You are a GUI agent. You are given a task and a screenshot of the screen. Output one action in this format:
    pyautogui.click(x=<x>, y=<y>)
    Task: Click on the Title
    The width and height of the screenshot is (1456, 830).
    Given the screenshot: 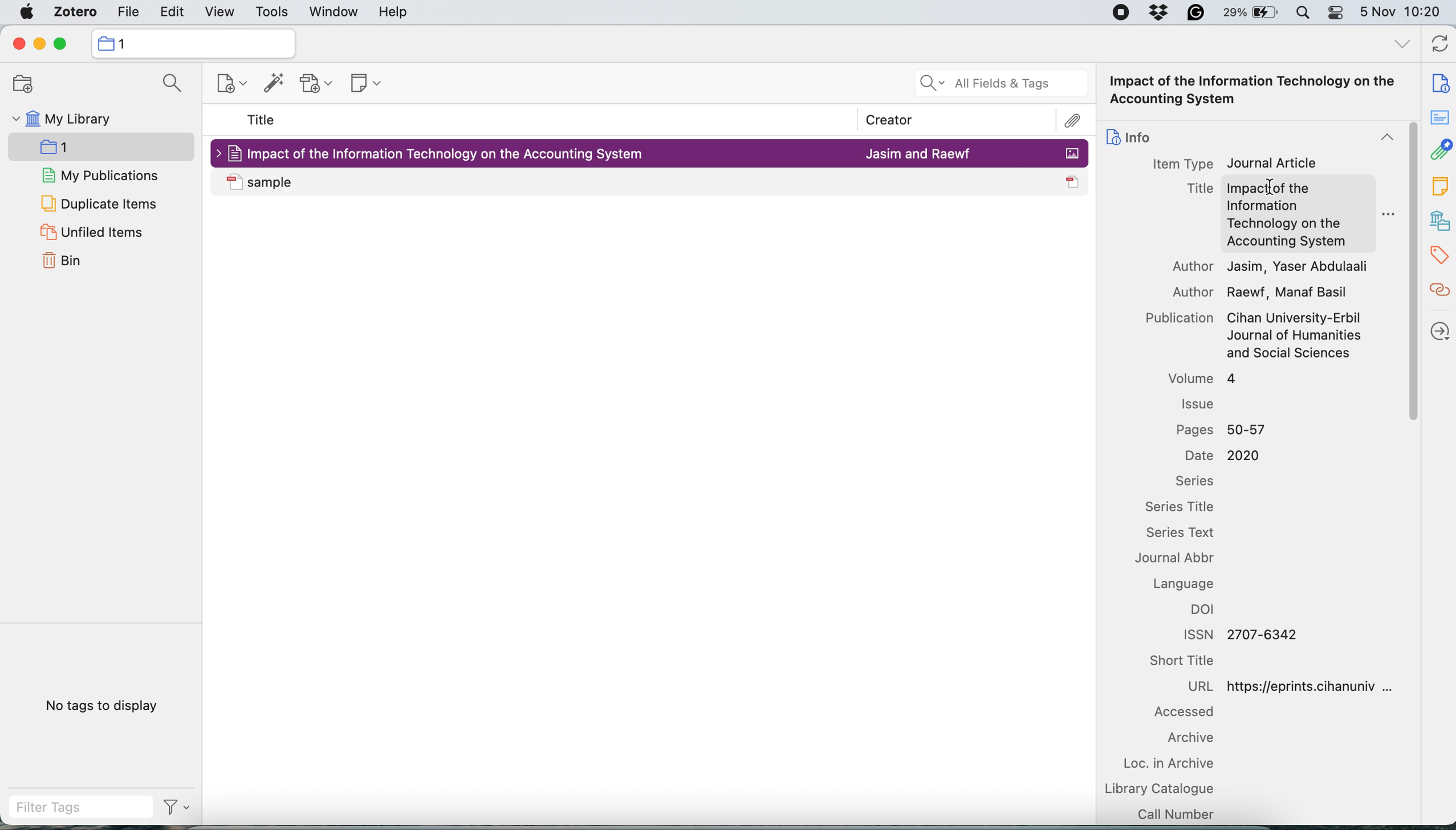 What is the action you would take?
    pyautogui.click(x=1201, y=189)
    